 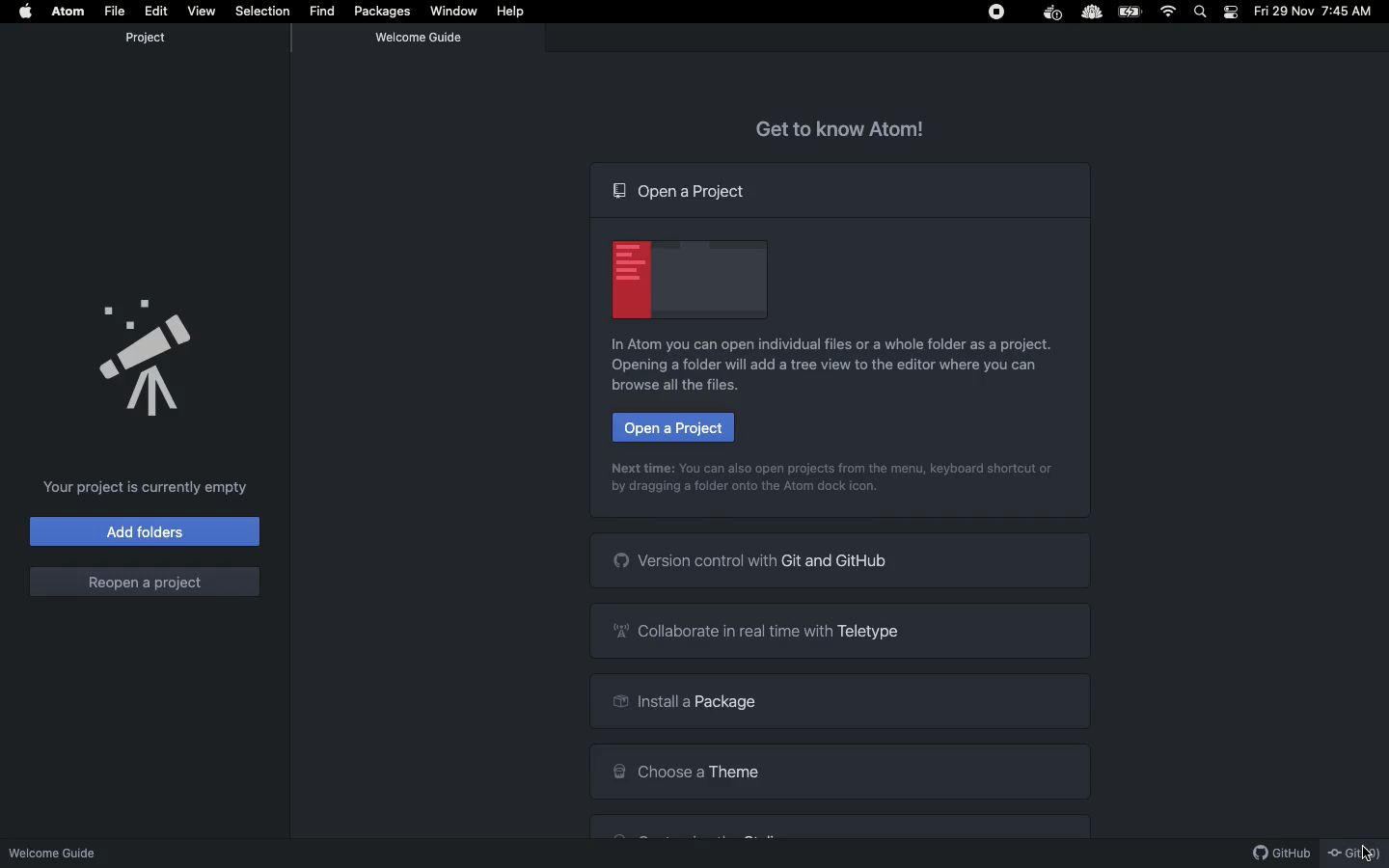 I want to click on Extension, so click(x=1092, y=12).